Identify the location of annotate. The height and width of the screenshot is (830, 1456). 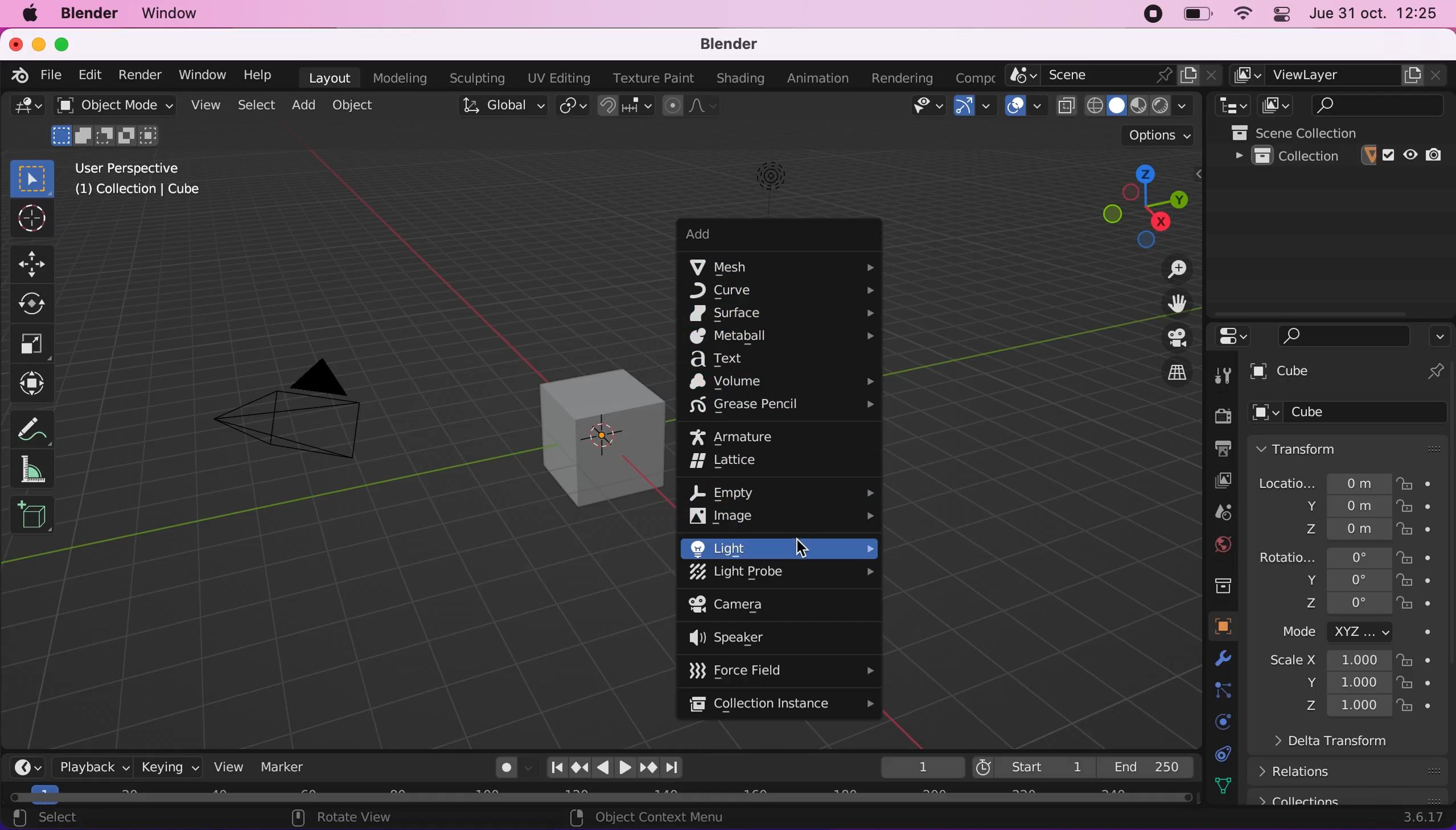
(40, 470).